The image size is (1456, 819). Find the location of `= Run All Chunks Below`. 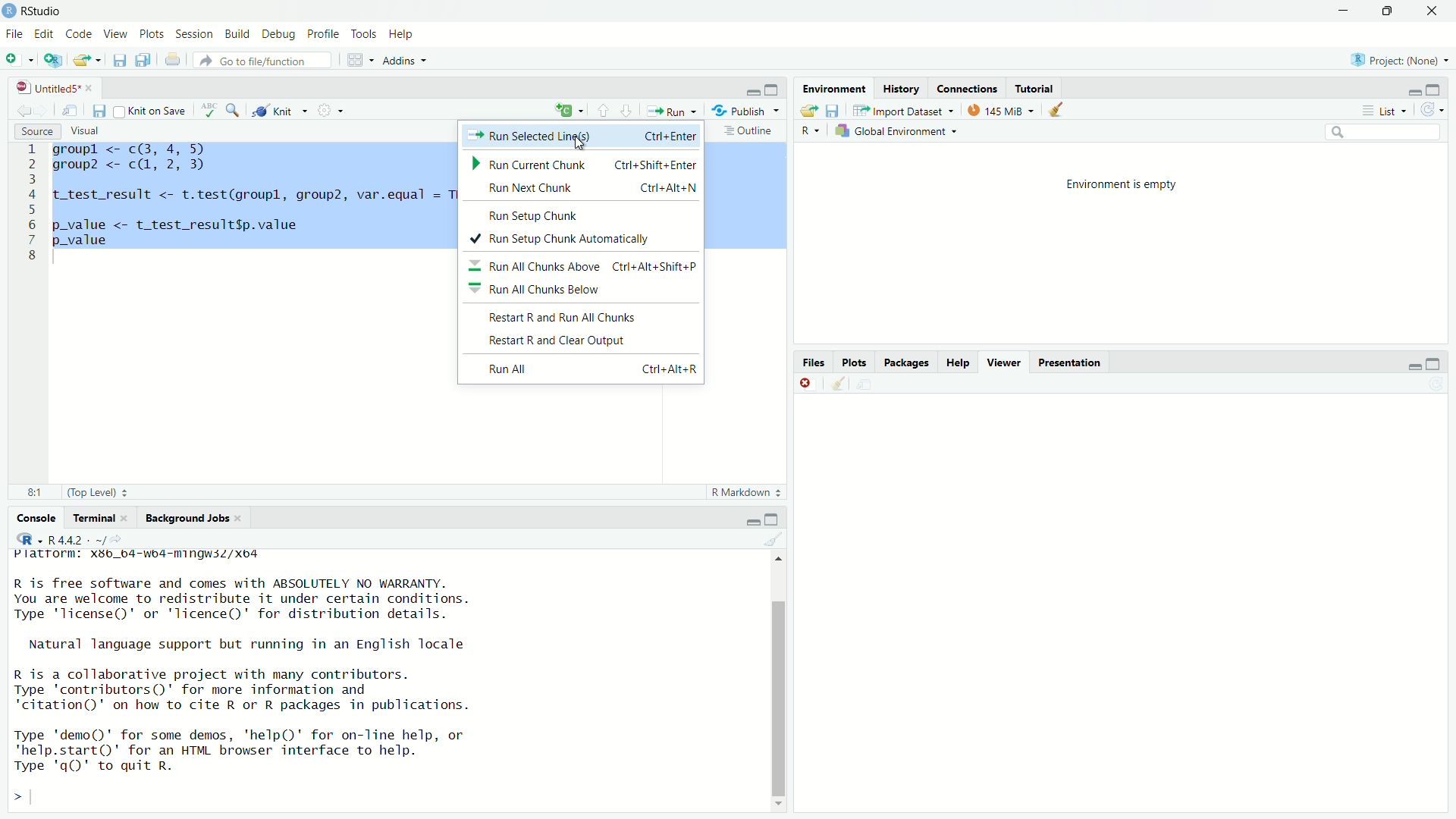

= Run All Chunks Below is located at coordinates (540, 288).